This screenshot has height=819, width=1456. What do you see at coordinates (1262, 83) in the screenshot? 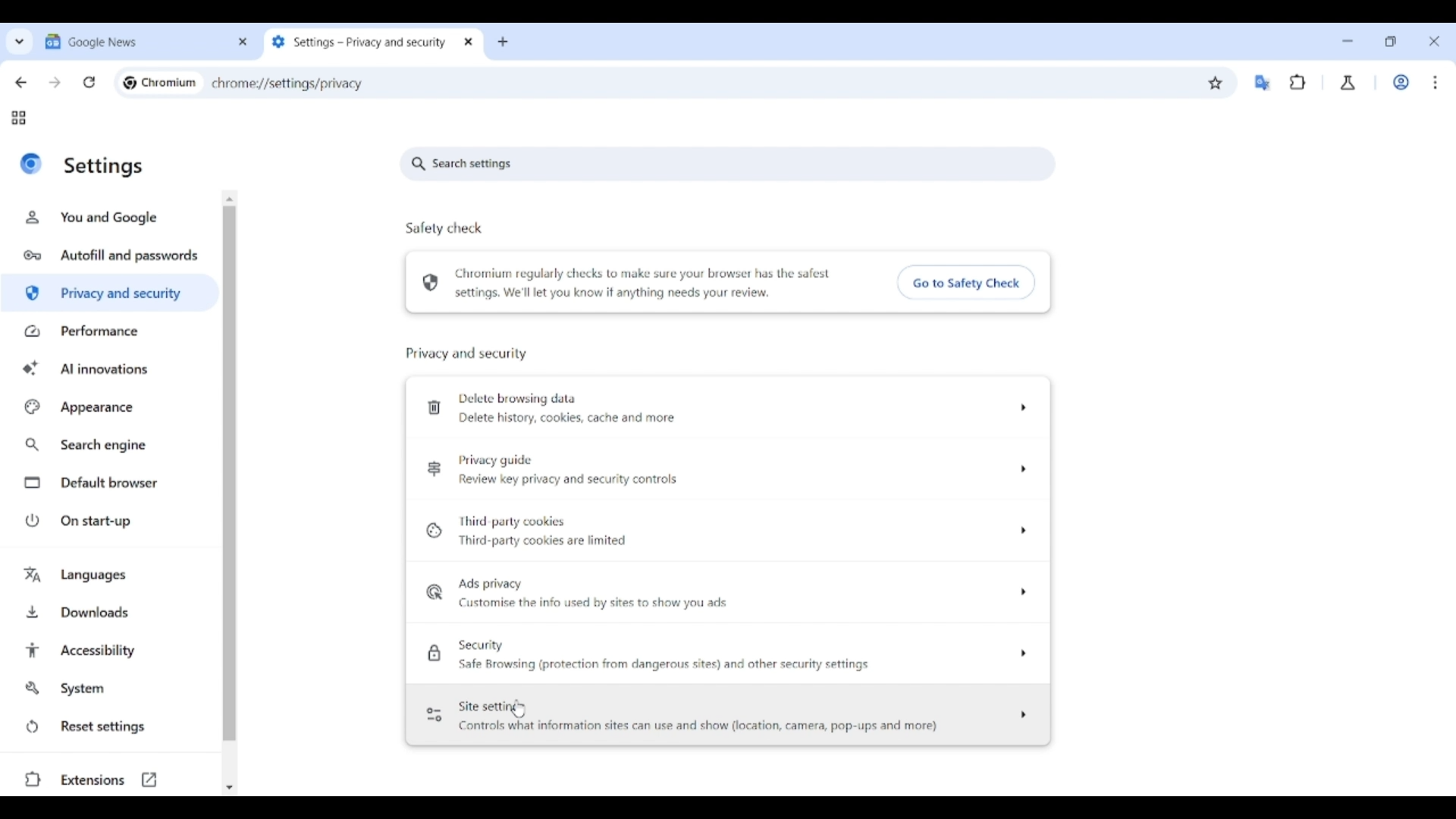
I see `Google translator extension` at bounding box center [1262, 83].